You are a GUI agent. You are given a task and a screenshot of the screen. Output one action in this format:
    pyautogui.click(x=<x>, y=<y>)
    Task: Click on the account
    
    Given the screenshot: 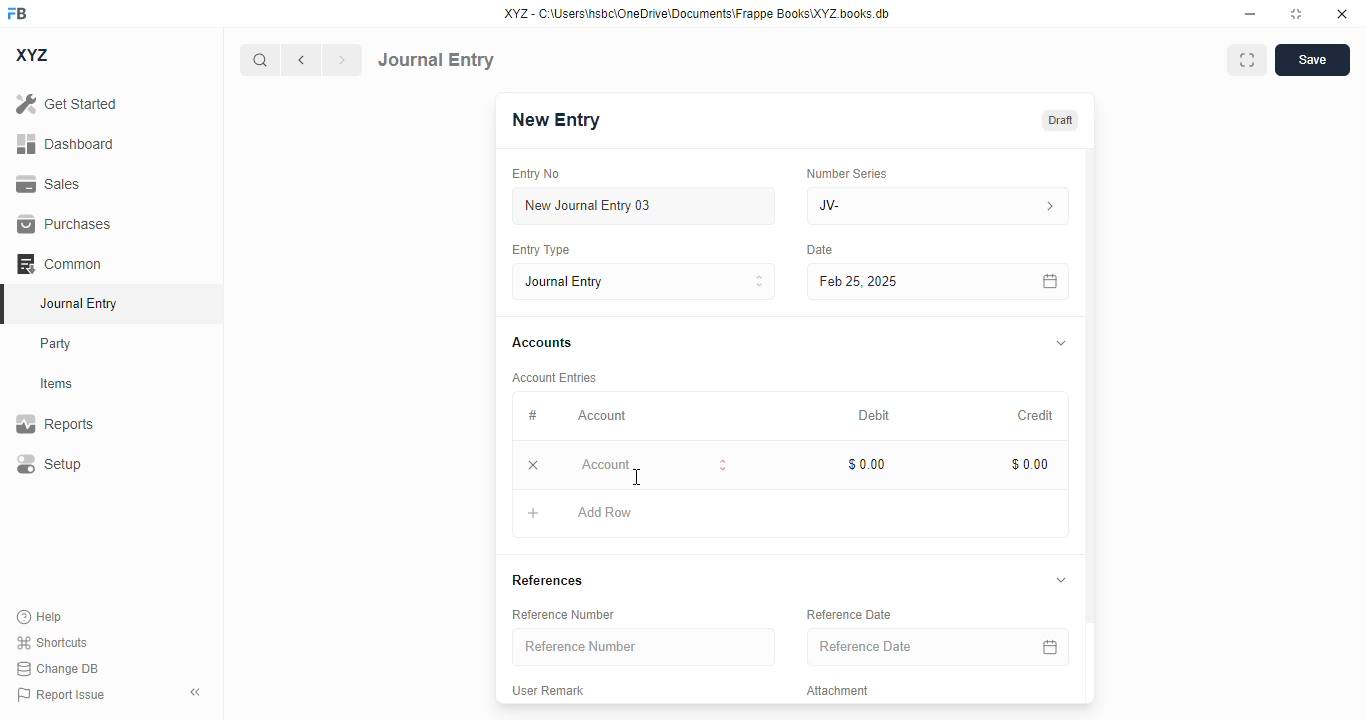 What is the action you would take?
    pyautogui.click(x=602, y=416)
    